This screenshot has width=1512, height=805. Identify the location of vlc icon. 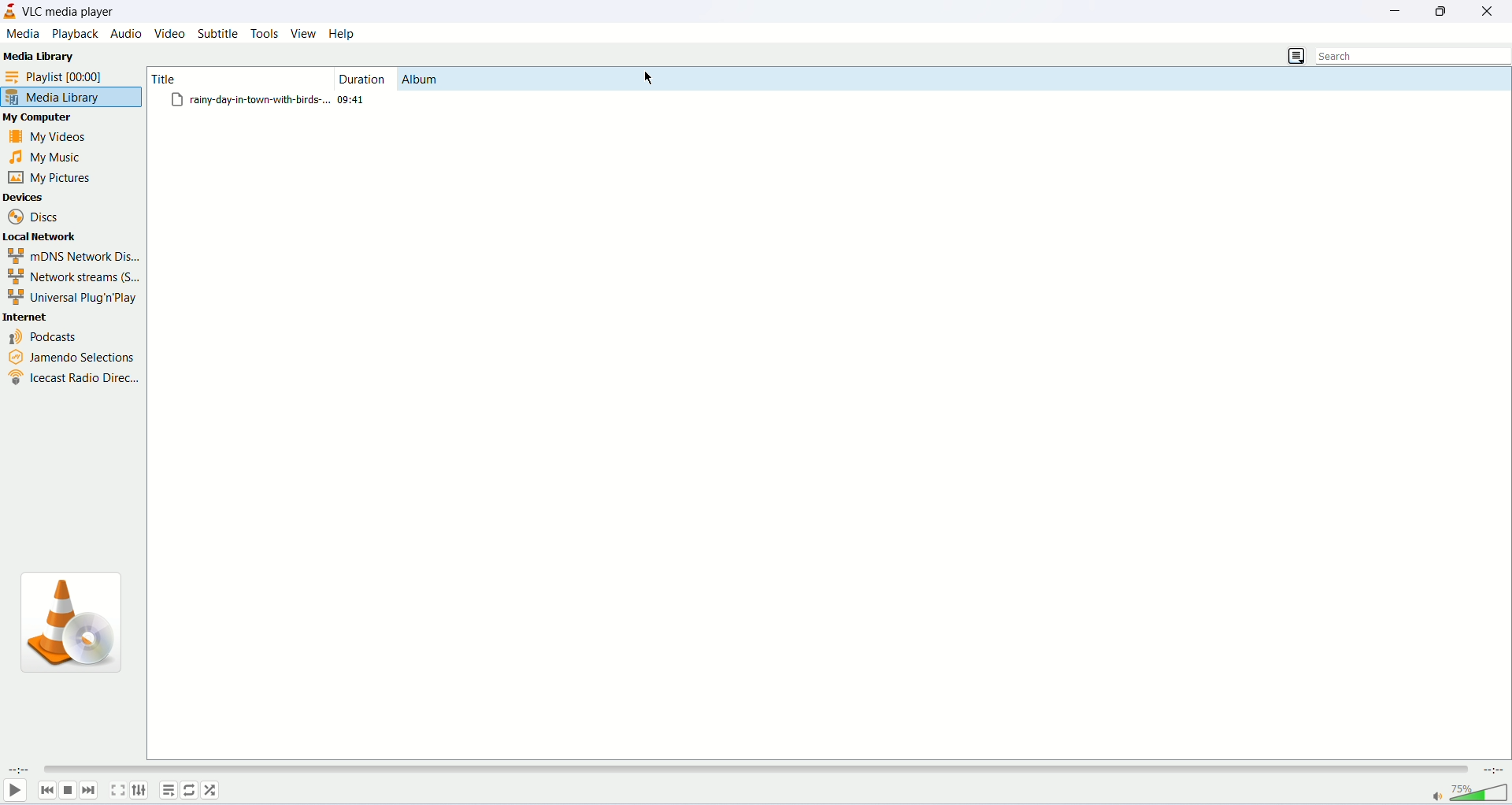
(78, 621).